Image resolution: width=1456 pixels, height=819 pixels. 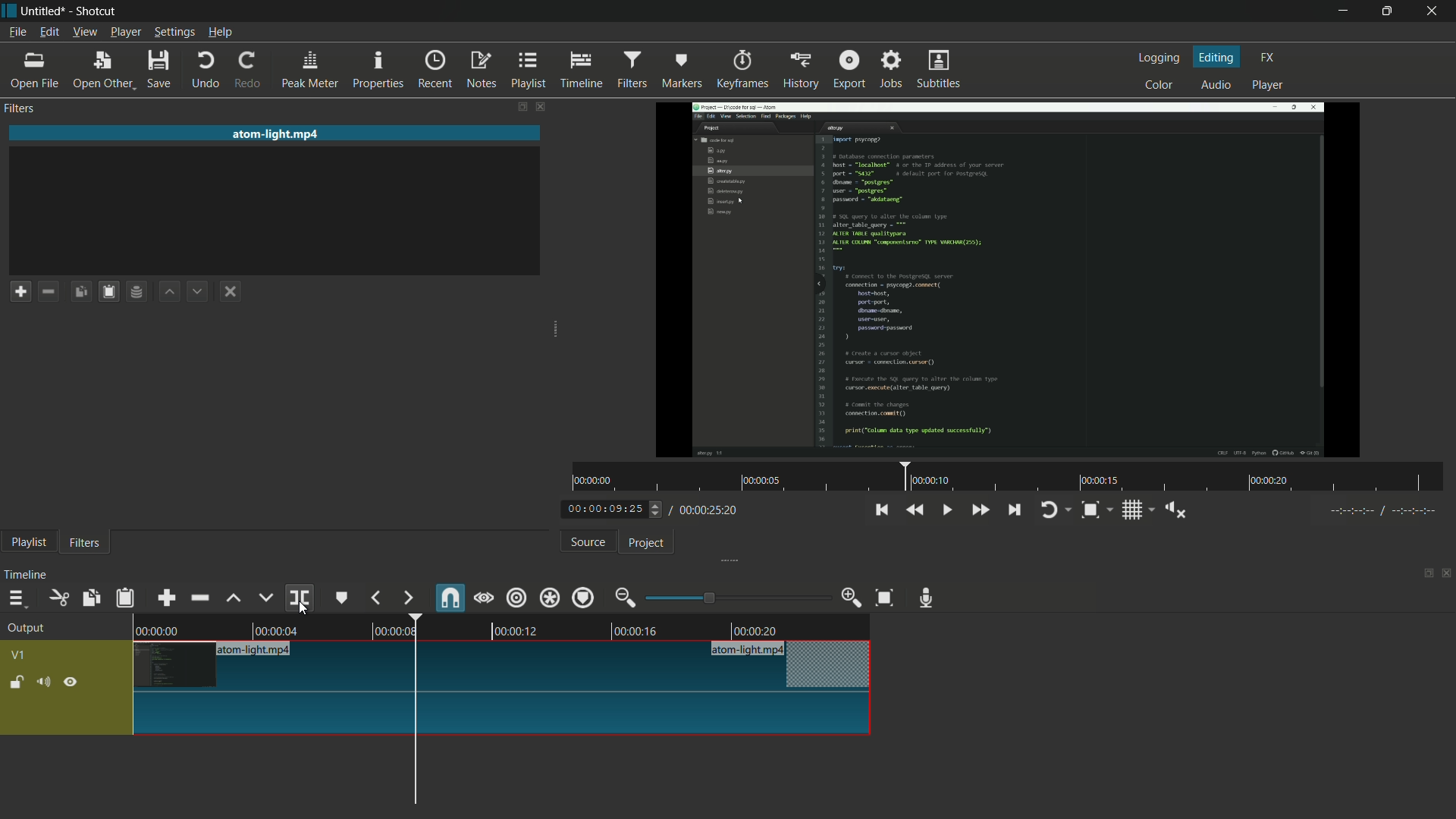 I want to click on video in timeline, so click(x=504, y=625).